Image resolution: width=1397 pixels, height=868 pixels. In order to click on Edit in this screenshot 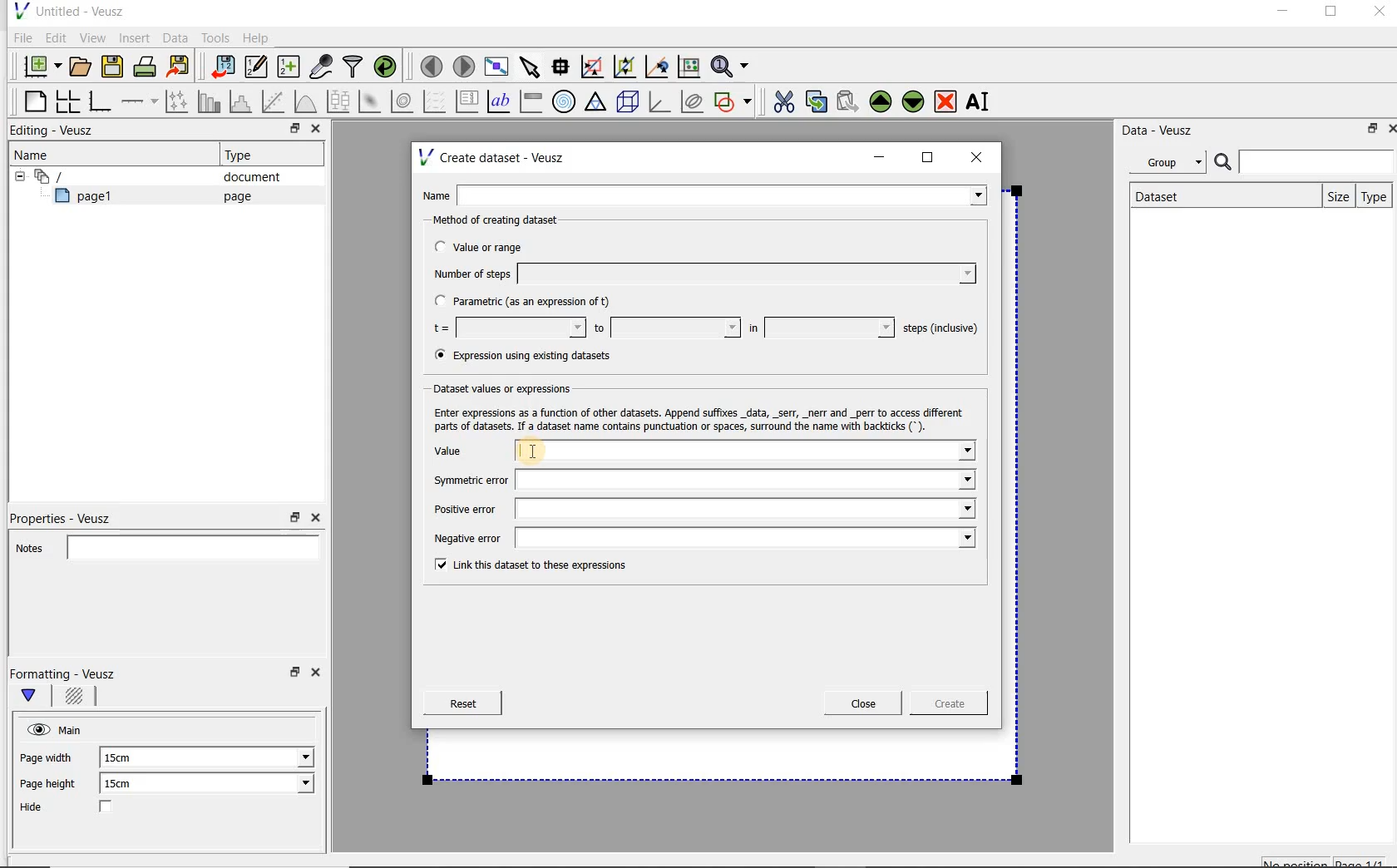, I will do `click(55, 37)`.